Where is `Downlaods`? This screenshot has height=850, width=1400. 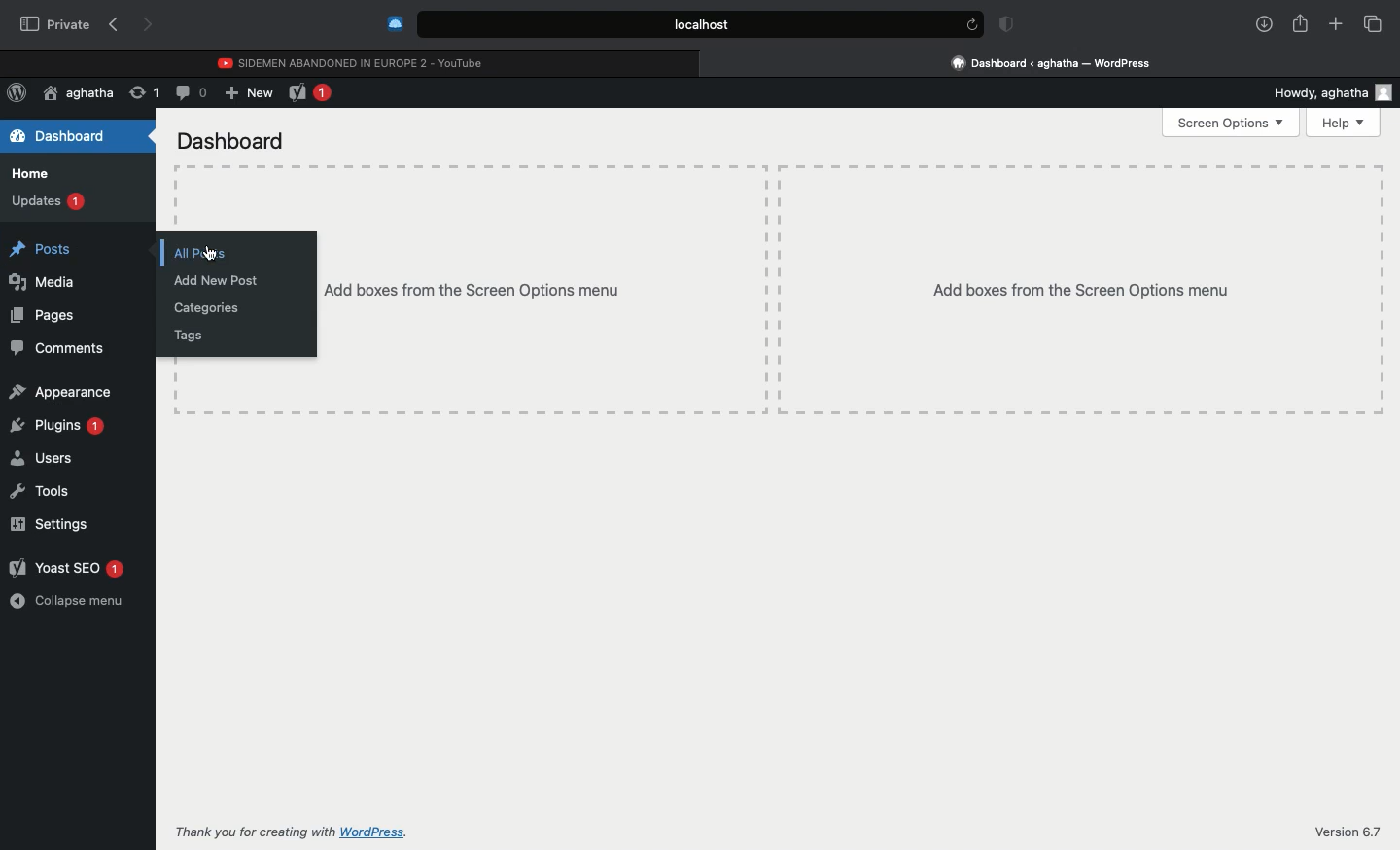
Downlaods is located at coordinates (1261, 25).